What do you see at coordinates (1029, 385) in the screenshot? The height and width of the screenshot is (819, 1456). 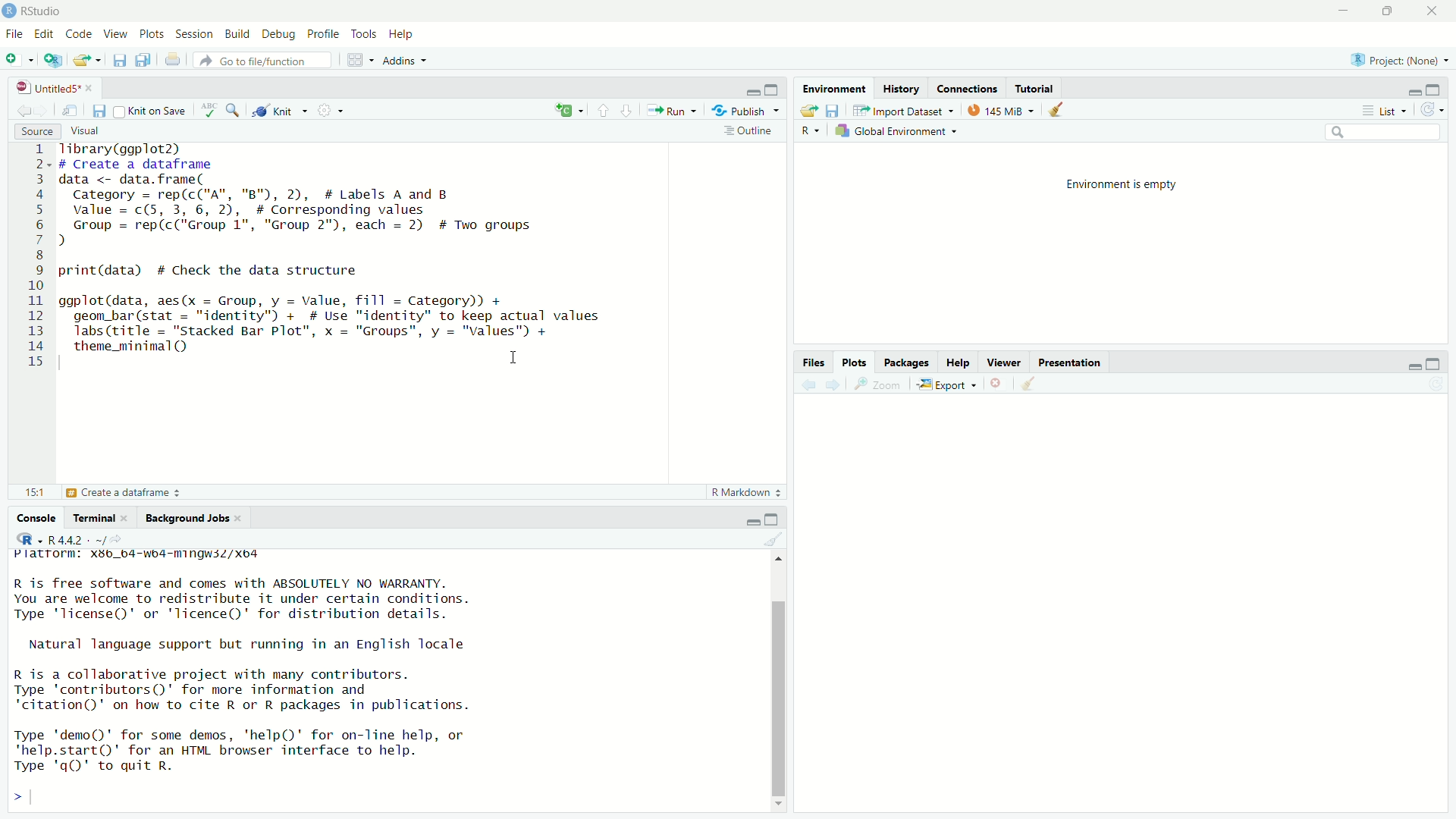 I see `Clear console (Ctrl + L)` at bounding box center [1029, 385].